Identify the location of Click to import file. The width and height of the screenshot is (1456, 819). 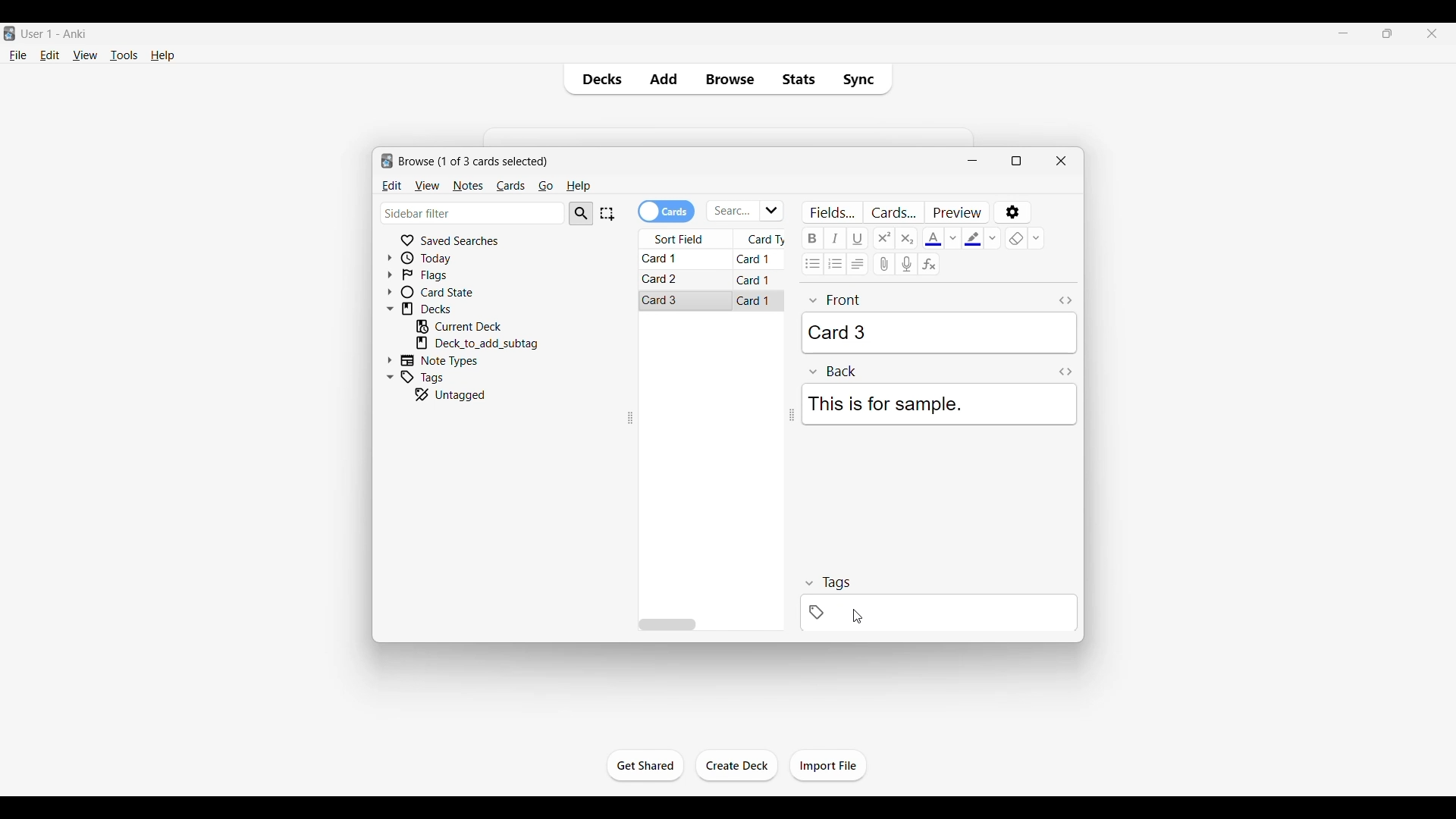
(829, 766).